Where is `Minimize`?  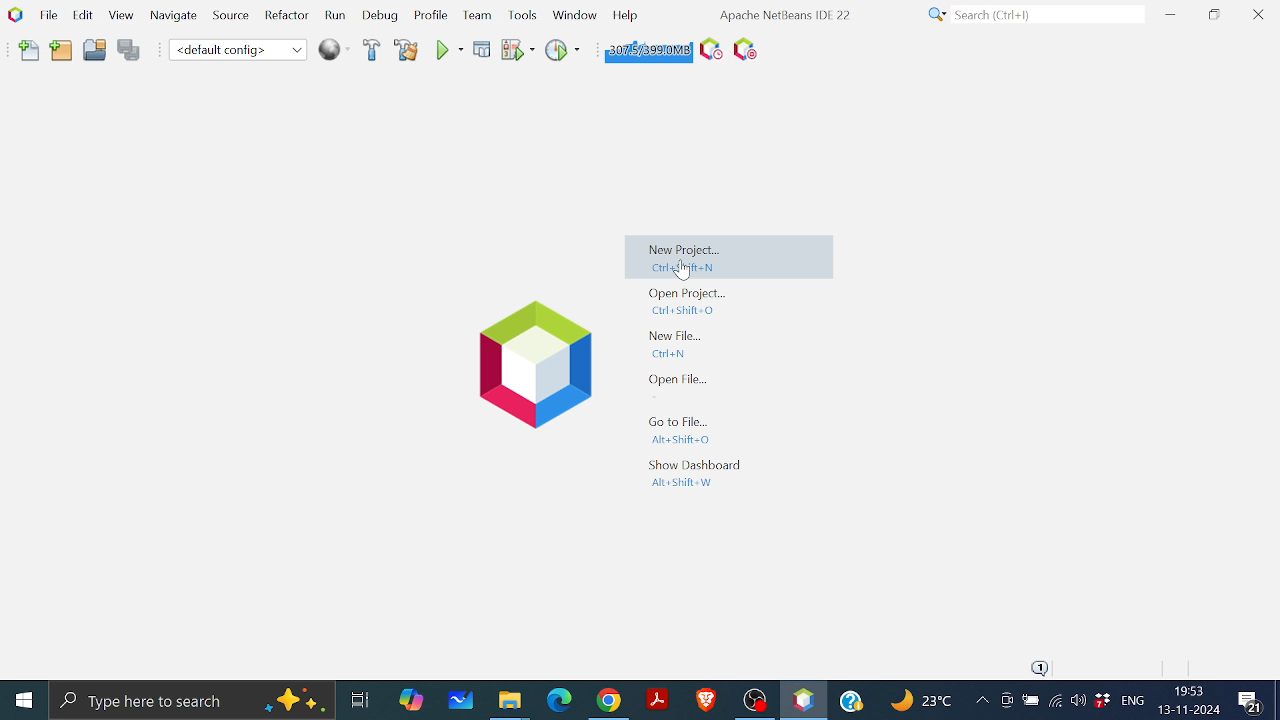 Minimize is located at coordinates (1170, 14).